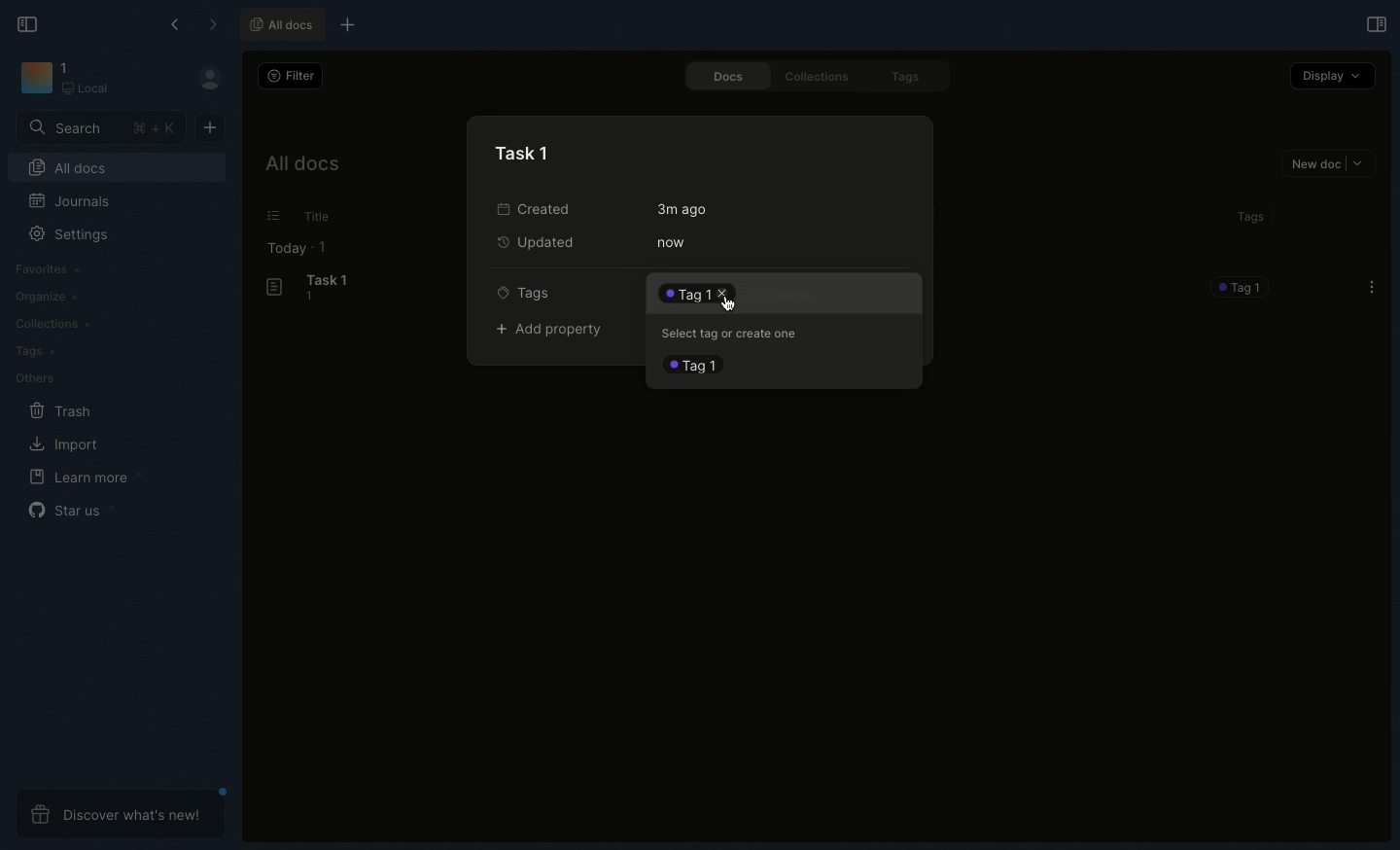  What do you see at coordinates (273, 215) in the screenshot?
I see `` at bounding box center [273, 215].